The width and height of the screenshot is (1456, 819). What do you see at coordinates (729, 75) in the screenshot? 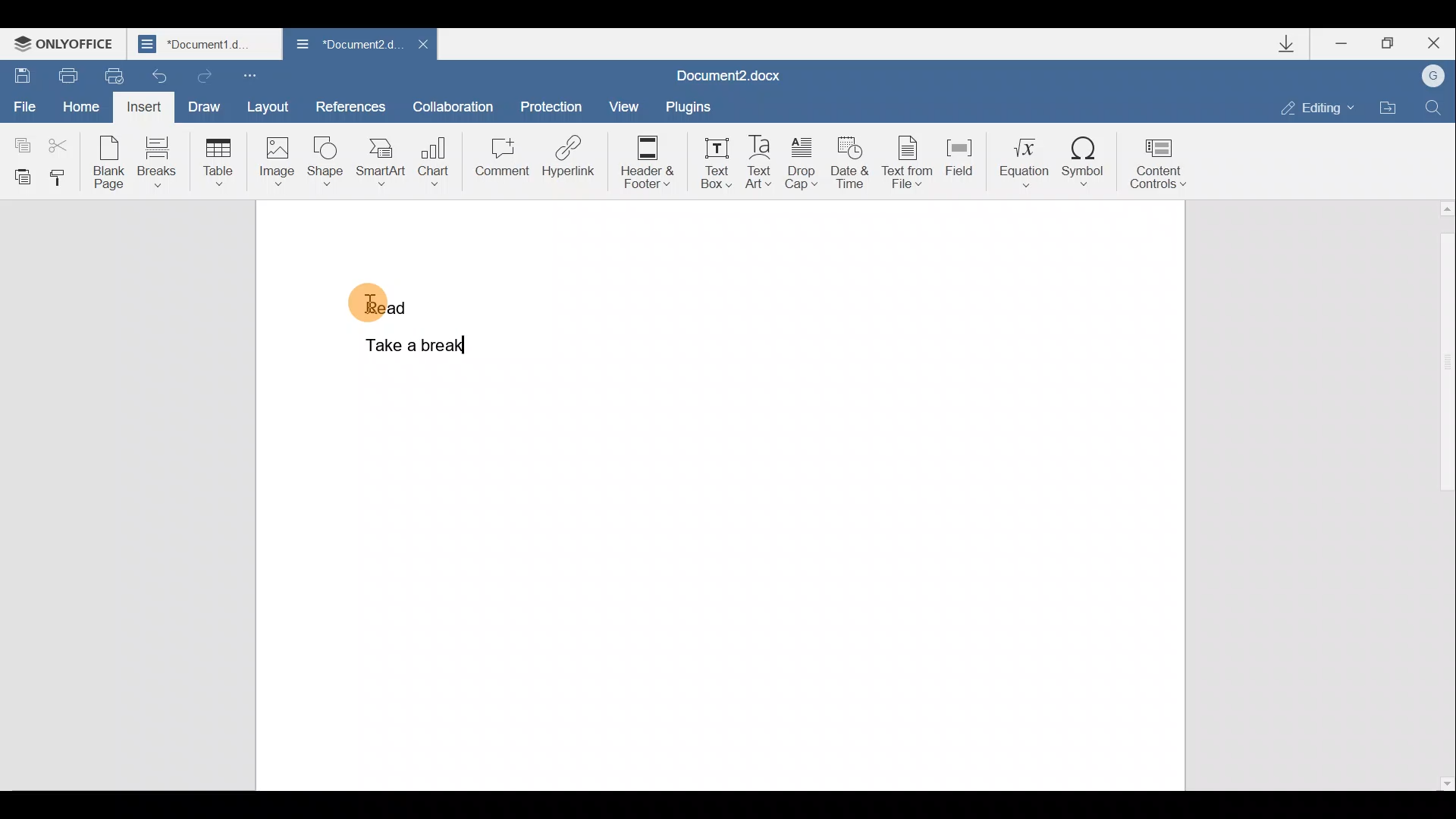
I see `Document2.docx` at bounding box center [729, 75].